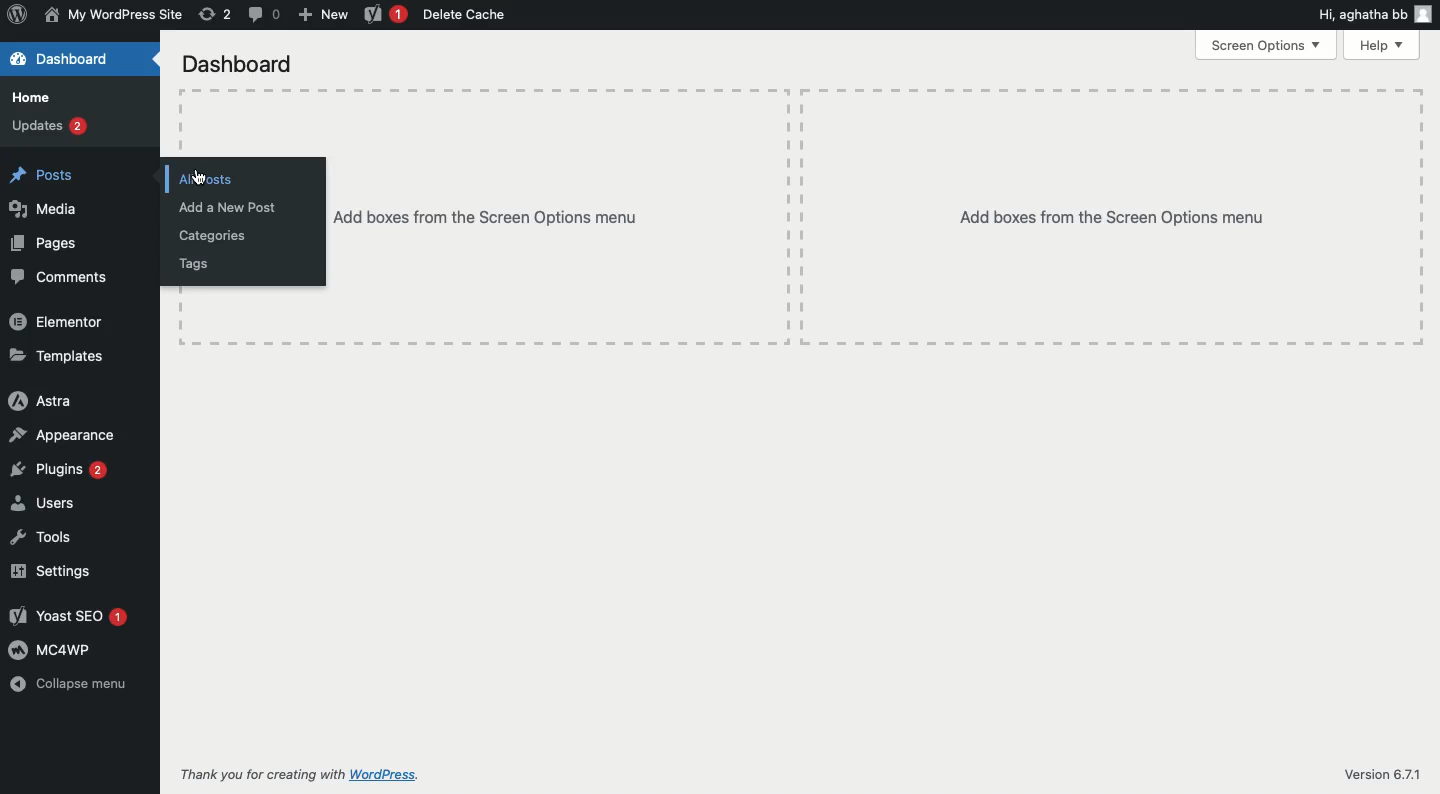 Image resolution: width=1440 pixels, height=794 pixels. I want to click on Plugins, so click(61, 470).